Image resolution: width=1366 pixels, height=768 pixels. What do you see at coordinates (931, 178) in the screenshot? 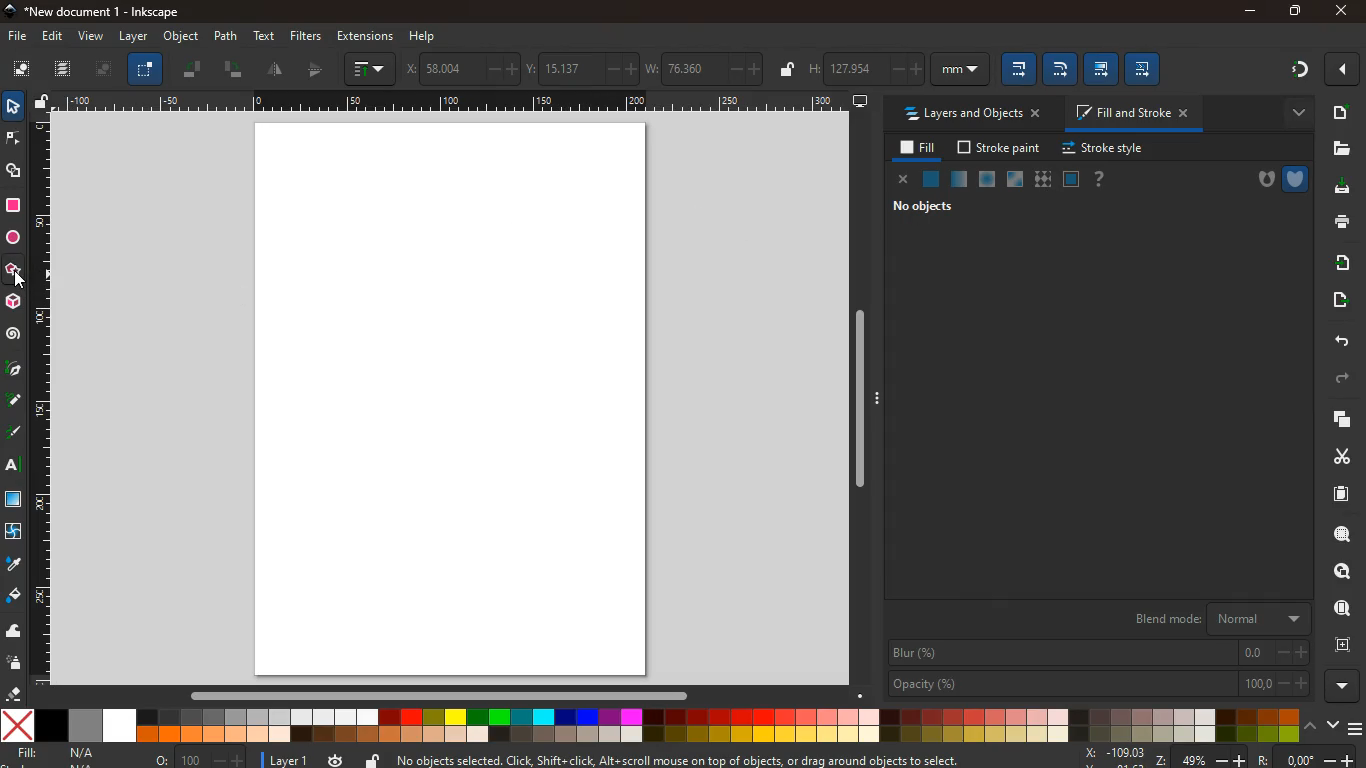
I see `normal` at bounding box center [931, 178].